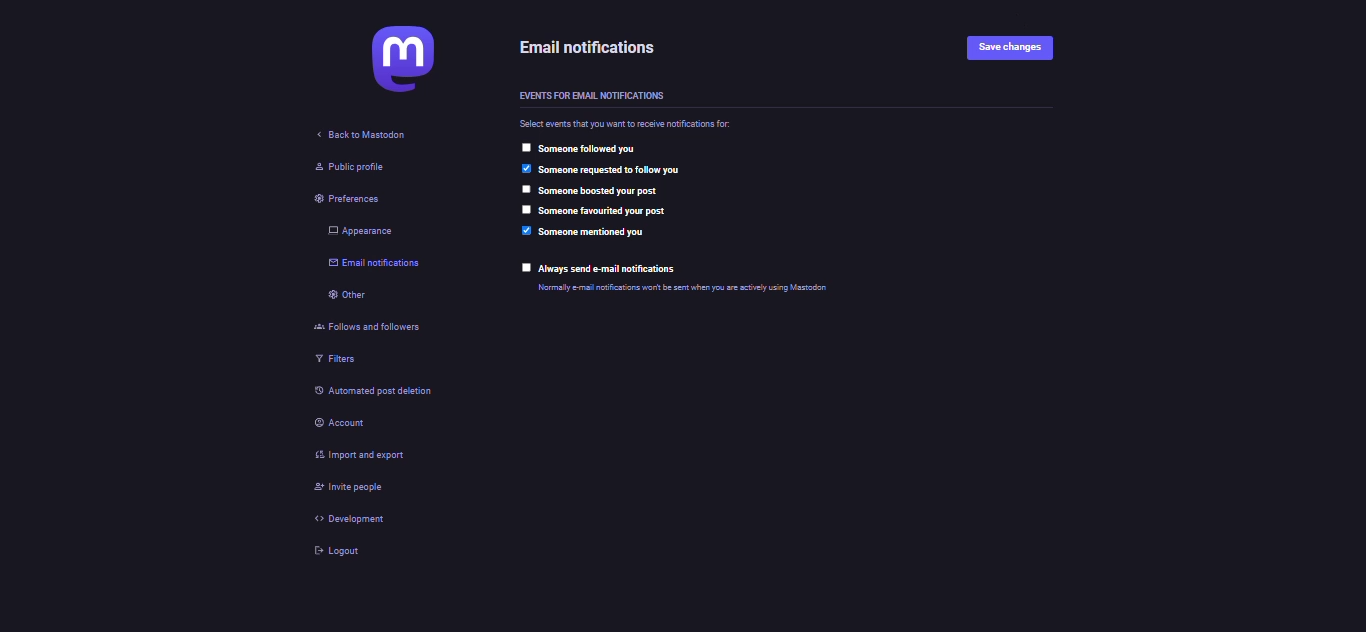 The height and width of the screenshot is (632, 1366). I want to click on info, so click(682, 288).